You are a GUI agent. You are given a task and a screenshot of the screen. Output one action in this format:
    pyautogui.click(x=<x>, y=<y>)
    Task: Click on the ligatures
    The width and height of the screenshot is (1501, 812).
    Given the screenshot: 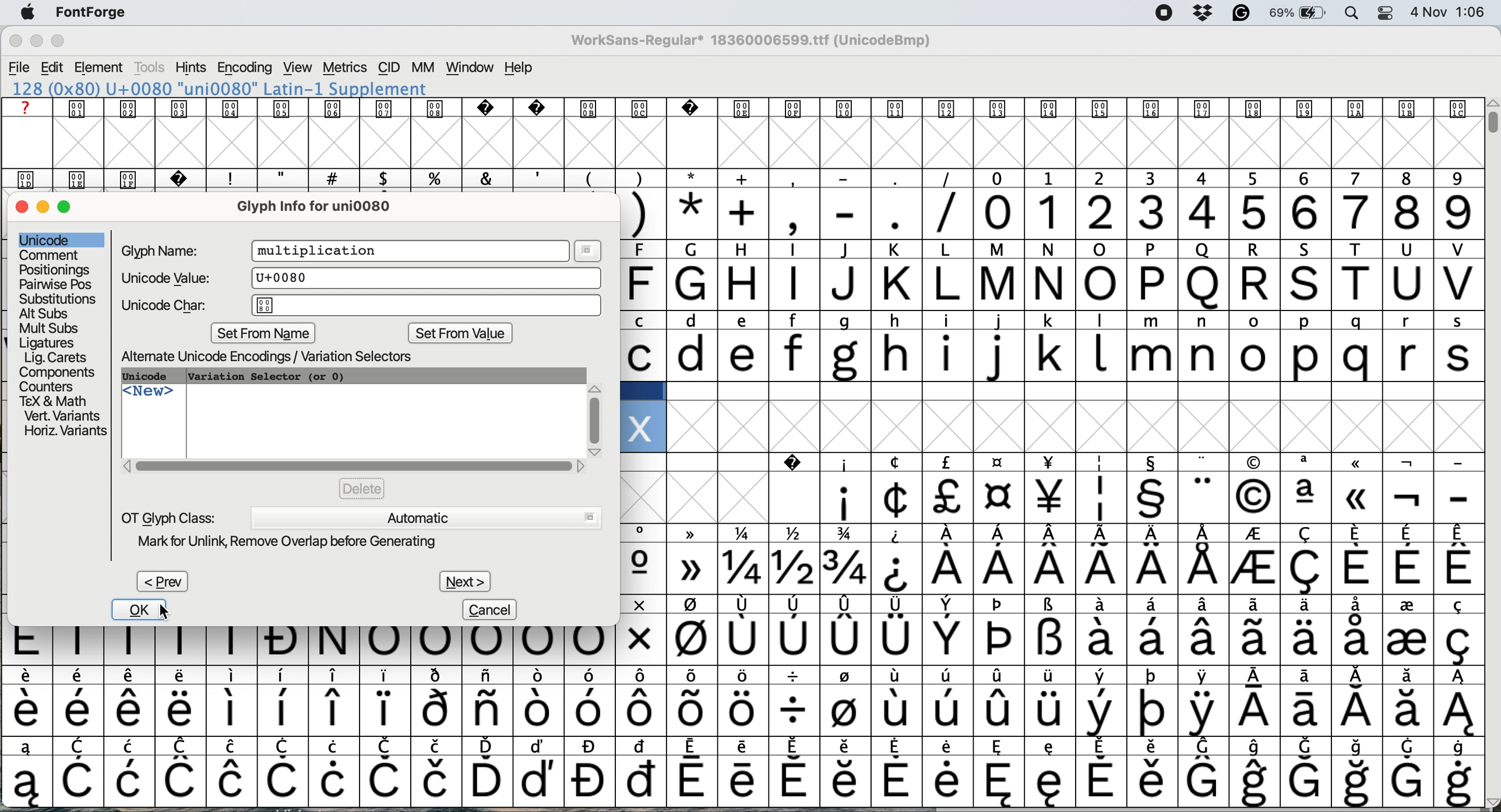 What is the action you would take?
    pyautogui.click(x=50, y=341)
    